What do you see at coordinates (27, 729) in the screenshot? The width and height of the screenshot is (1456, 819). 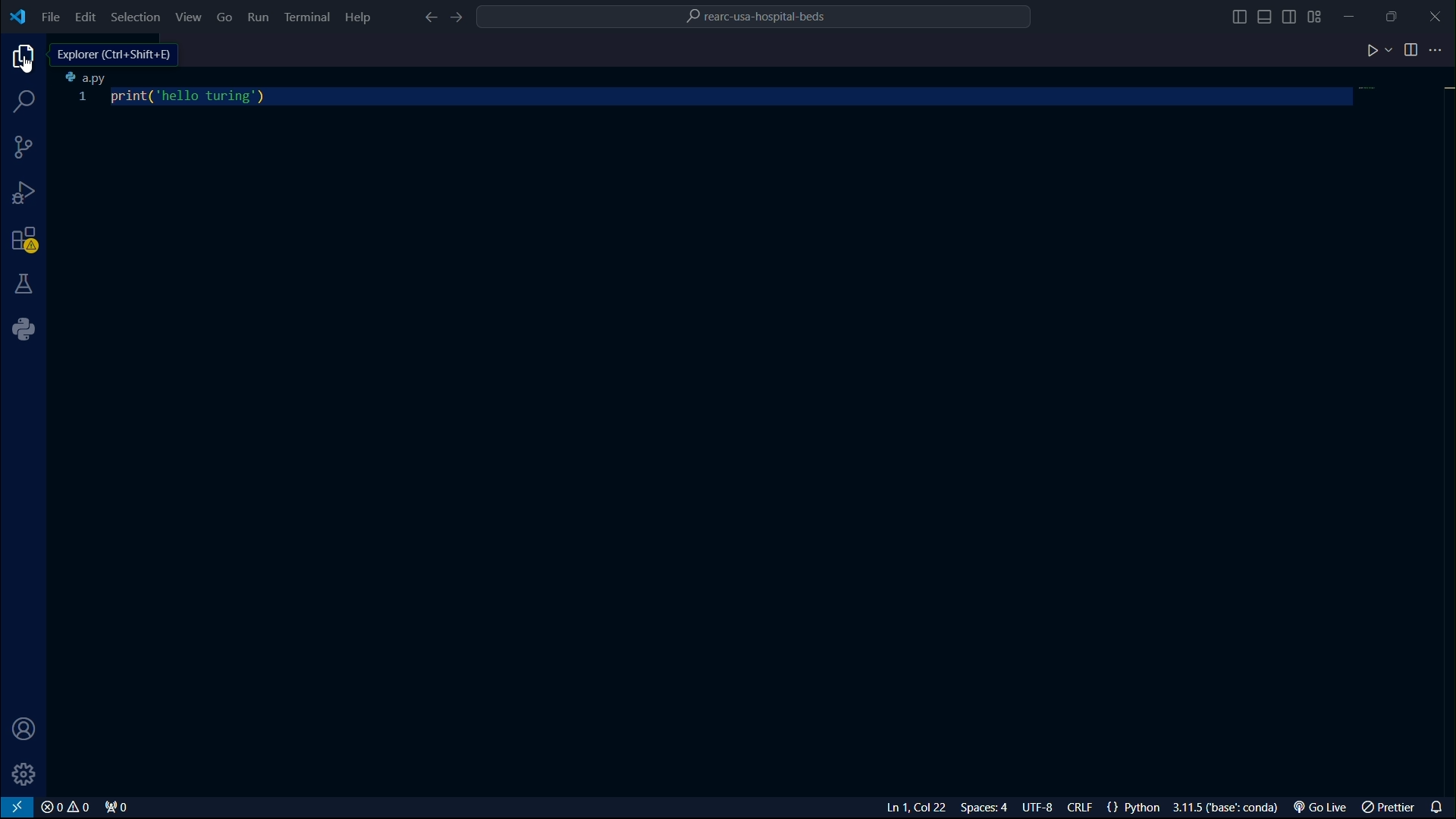 I see `account` at bounding box center [27, 729].